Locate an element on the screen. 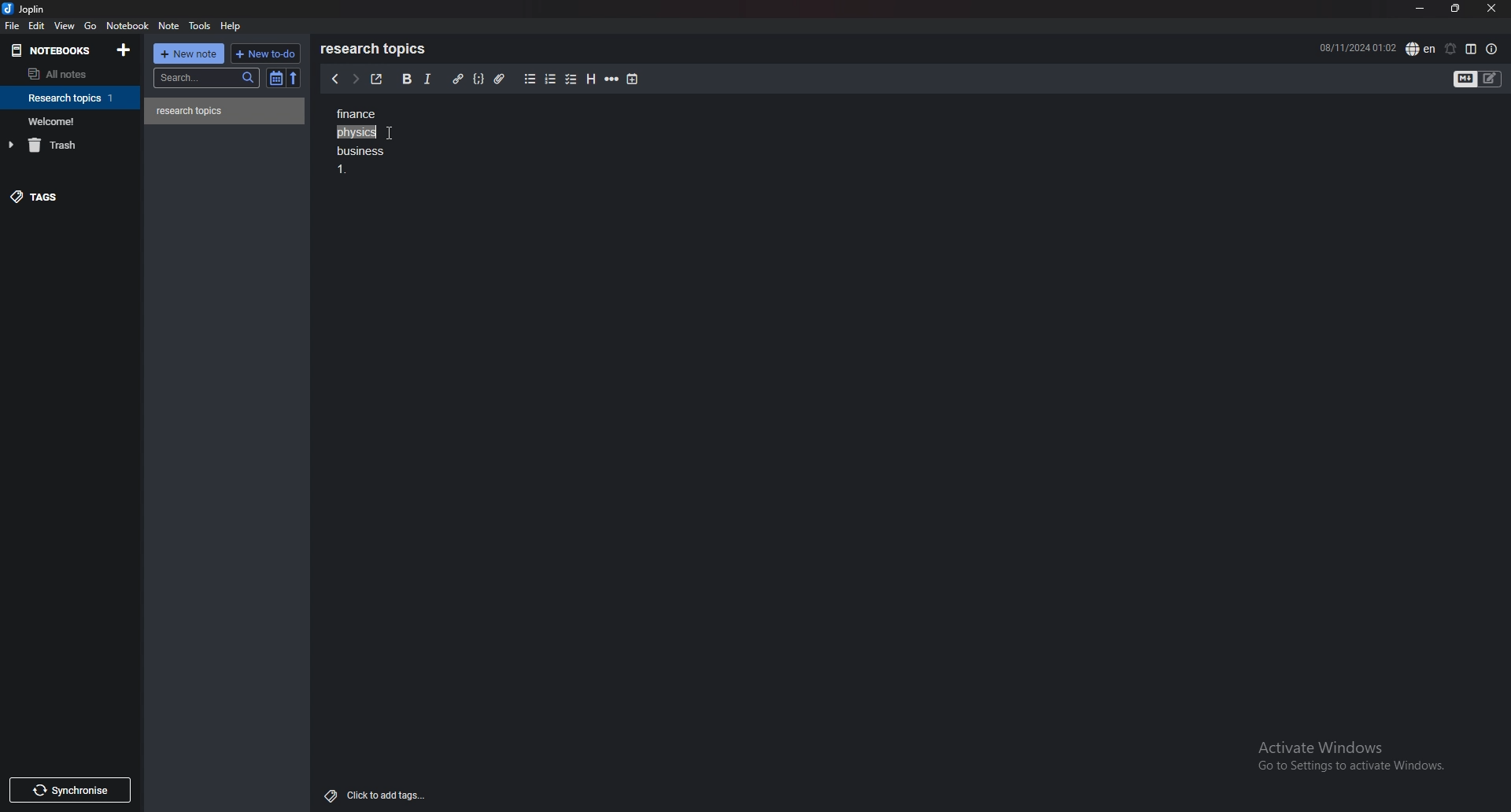 The width and height of the screenshot is (1511, 812). notebook is located at coordinates (72, 98).